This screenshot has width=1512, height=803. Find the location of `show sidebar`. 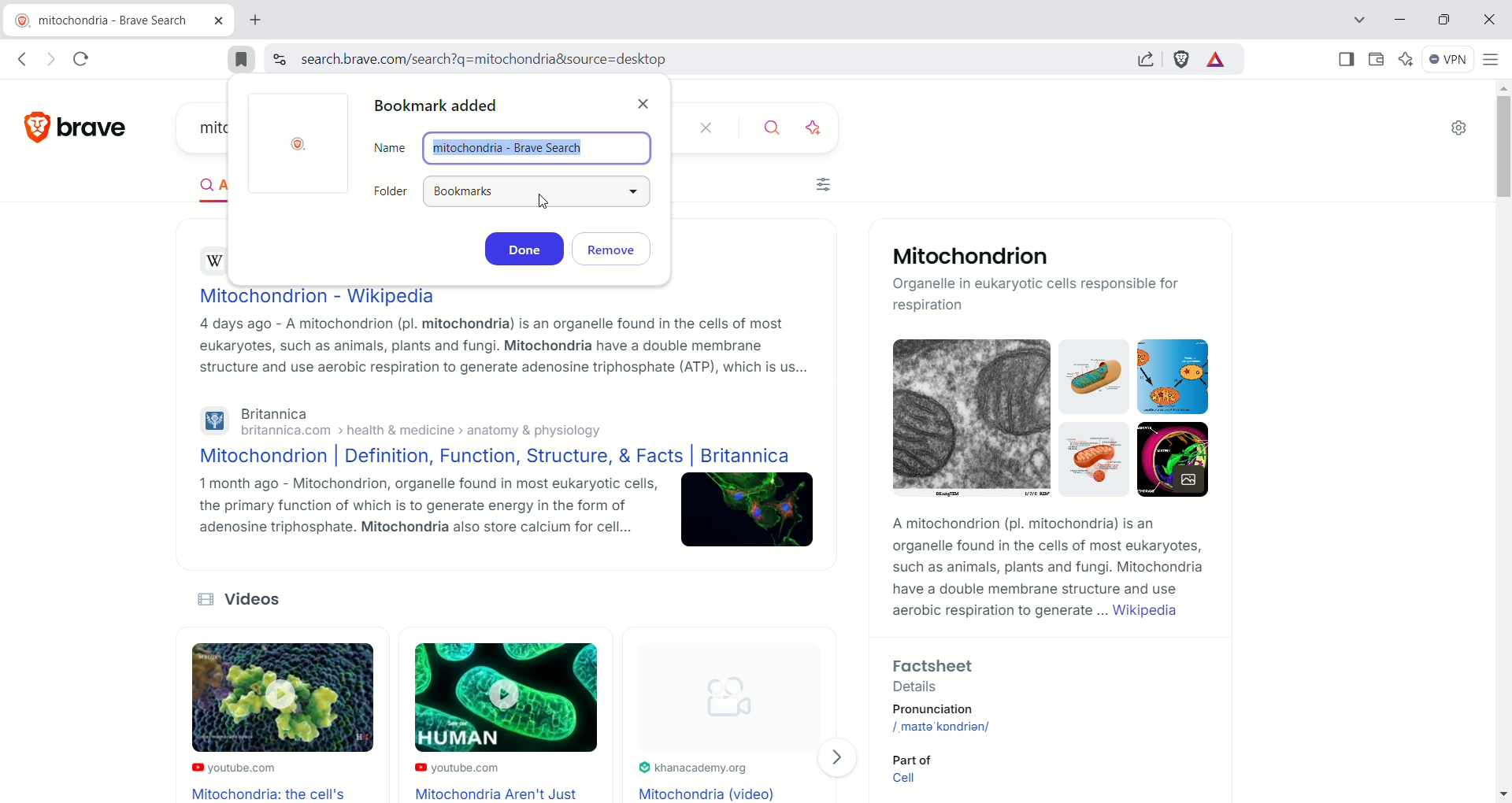

show sidebar is located at coordinates (1345, 58).